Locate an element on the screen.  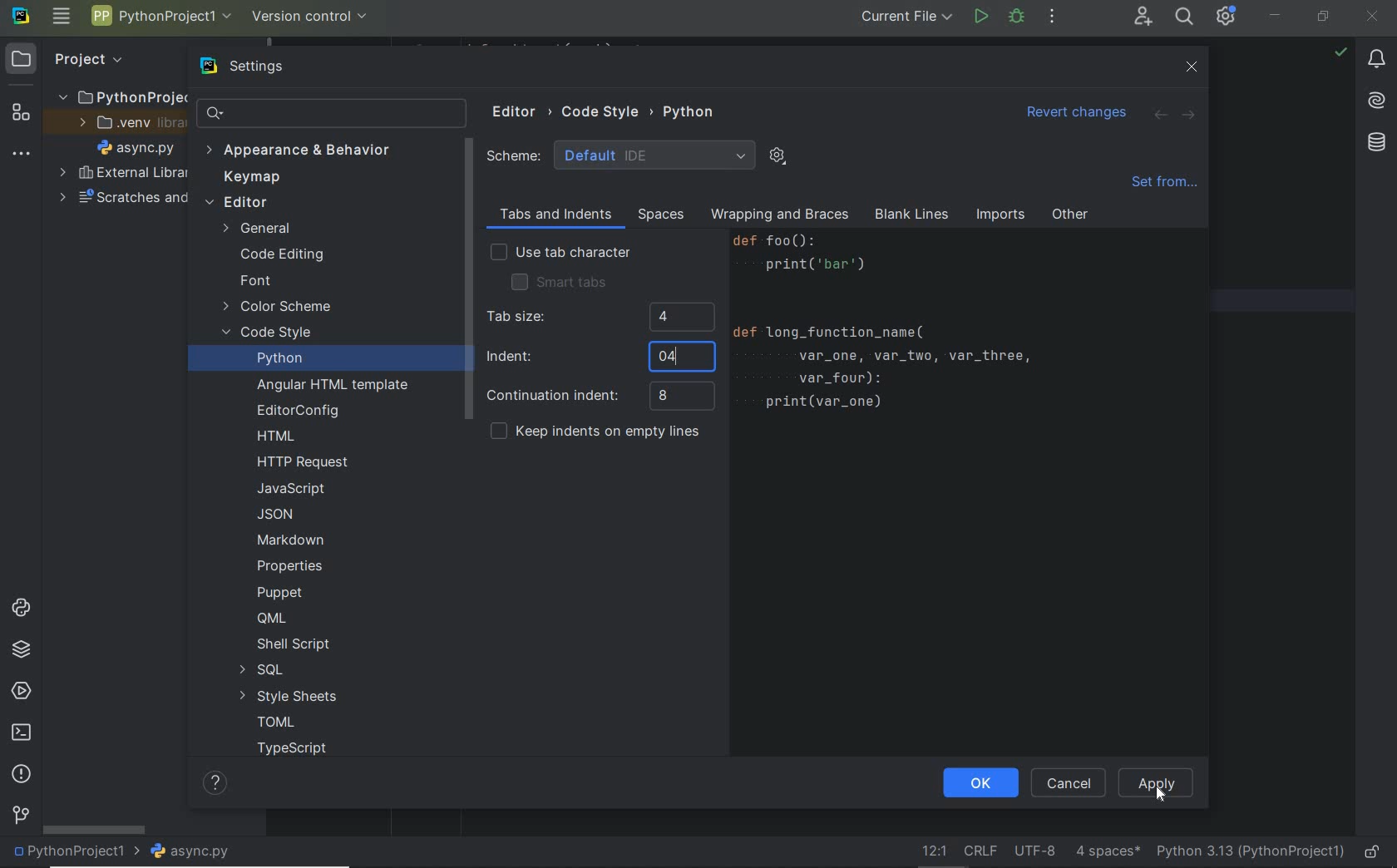
project name is located at coordinates (75, 853).